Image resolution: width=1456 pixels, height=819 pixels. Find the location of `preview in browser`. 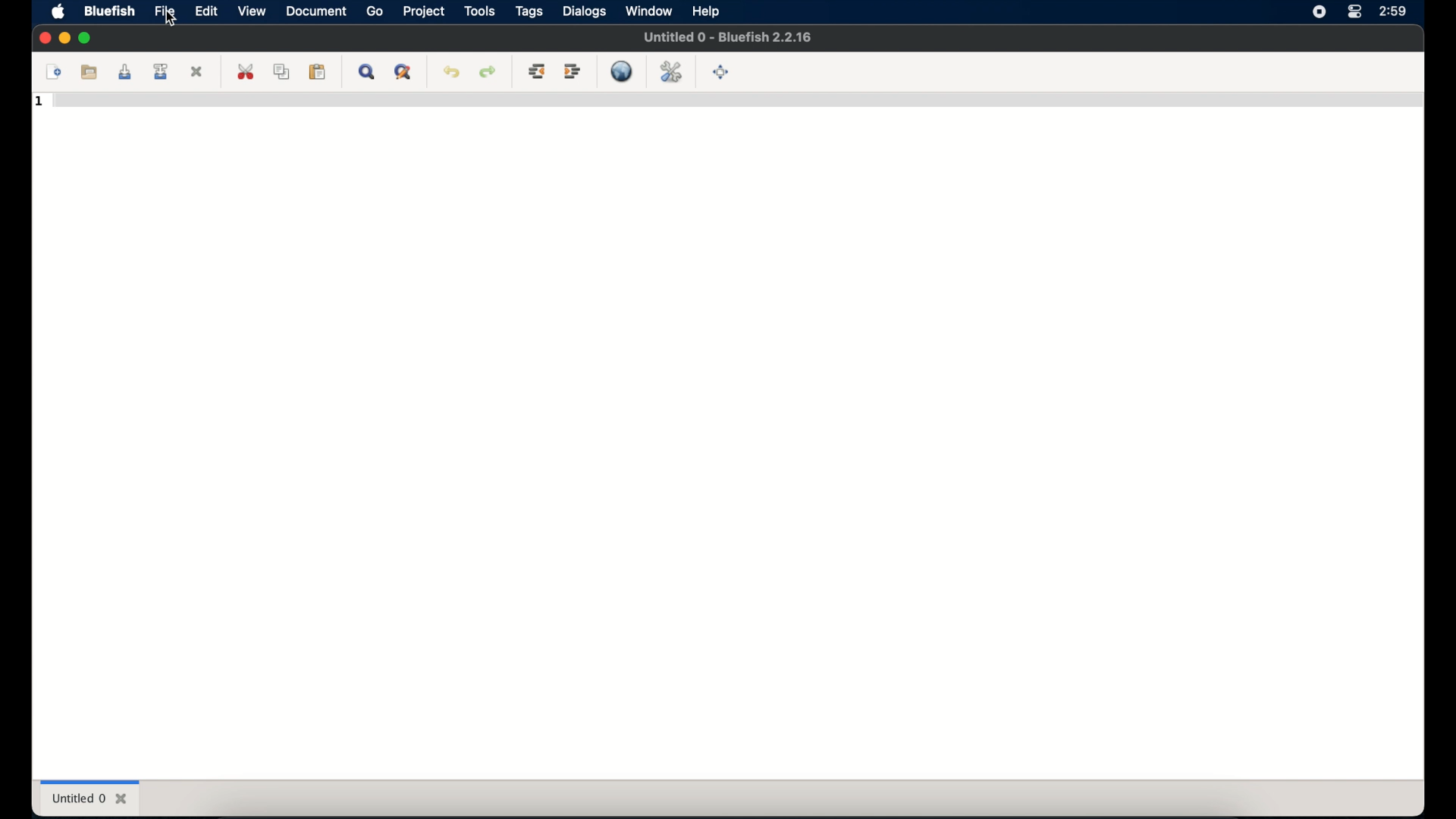

preview in browser is located at coordinates (622, 71).